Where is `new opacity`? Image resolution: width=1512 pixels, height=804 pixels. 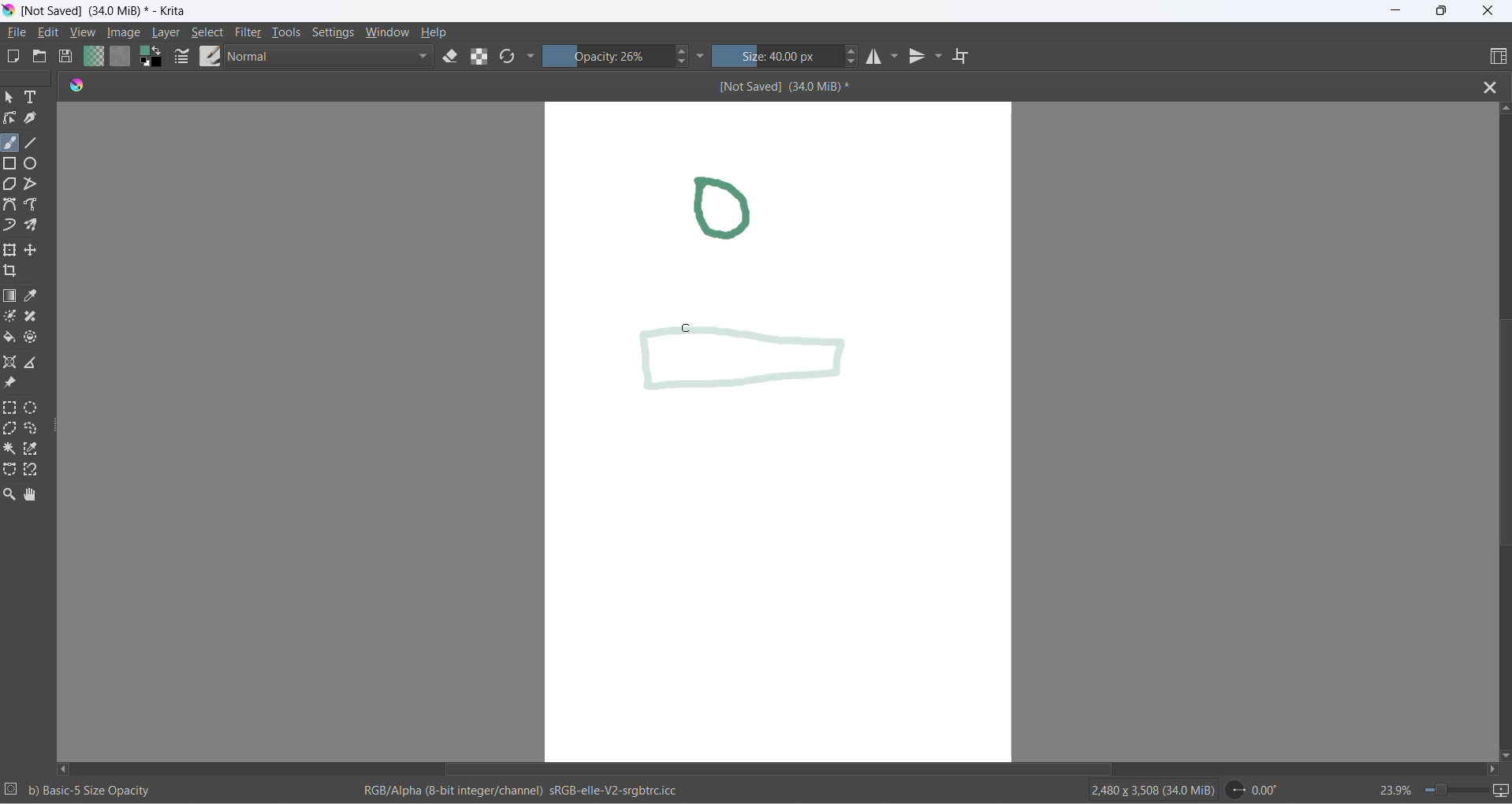
new opacity is located at coordinates (754, 369).